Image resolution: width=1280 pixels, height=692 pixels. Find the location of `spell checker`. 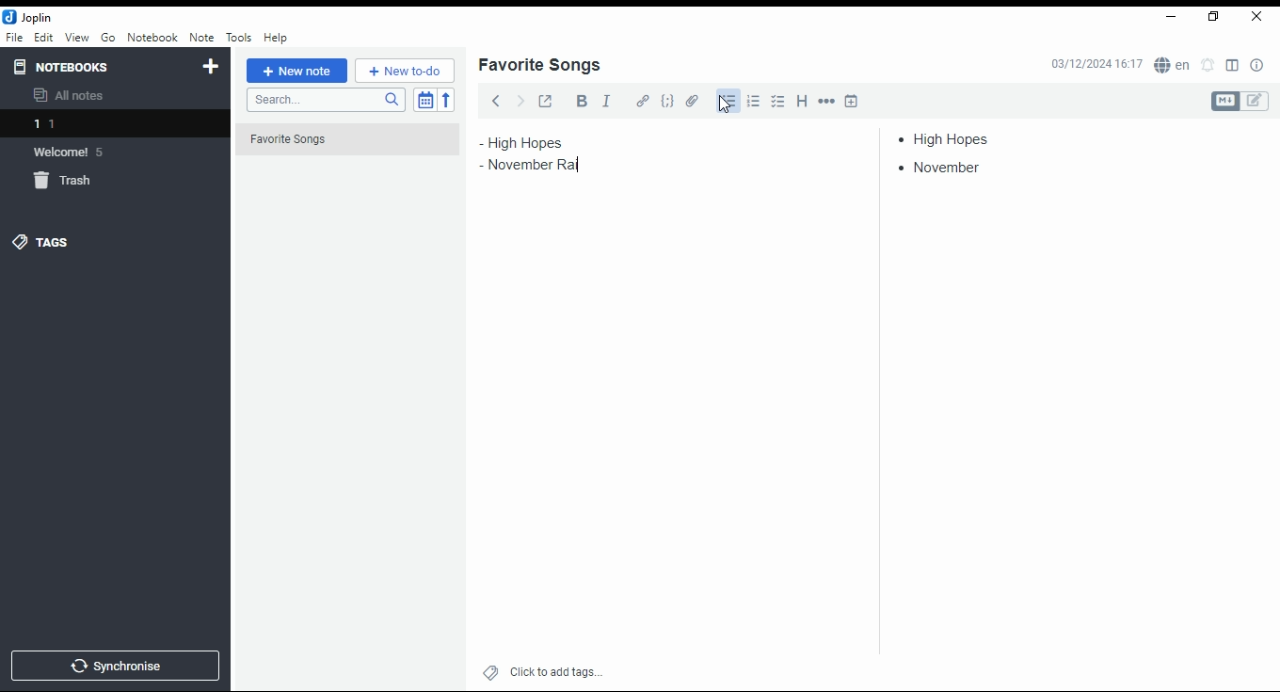

spell checker is located at coordinates (1174, 64).